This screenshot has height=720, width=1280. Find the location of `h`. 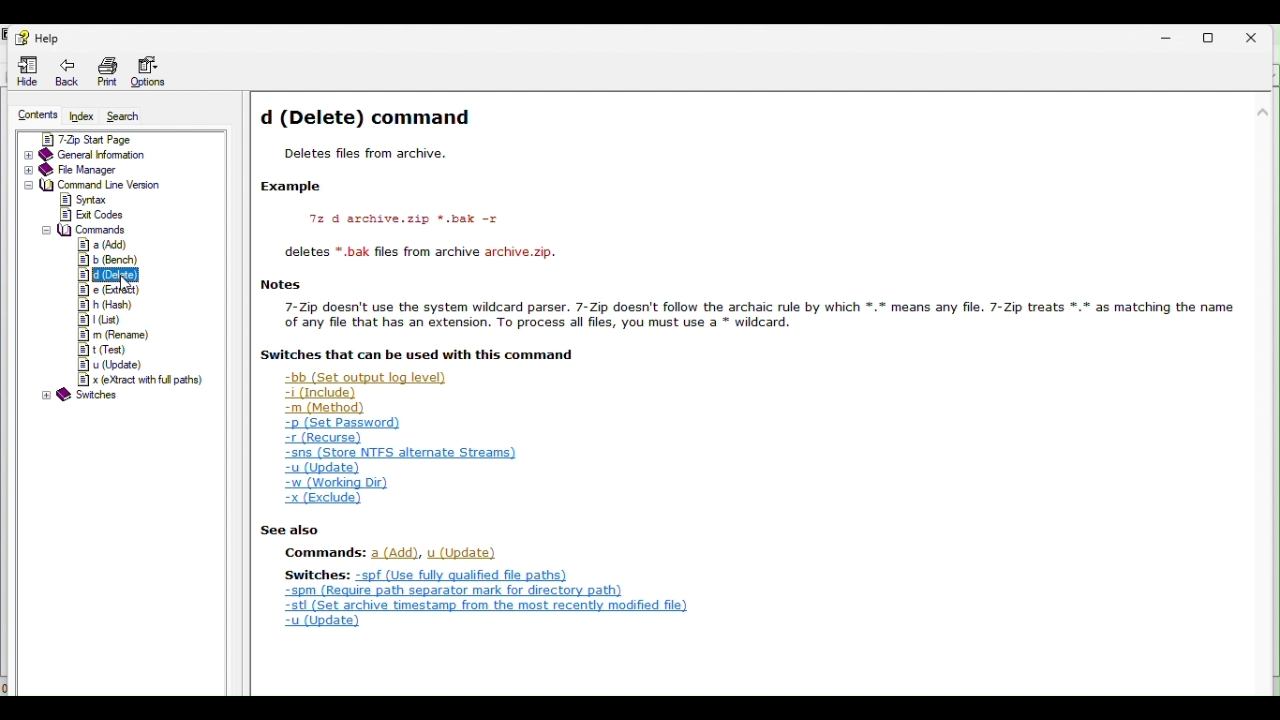

h is located at coordinates (109, 305).